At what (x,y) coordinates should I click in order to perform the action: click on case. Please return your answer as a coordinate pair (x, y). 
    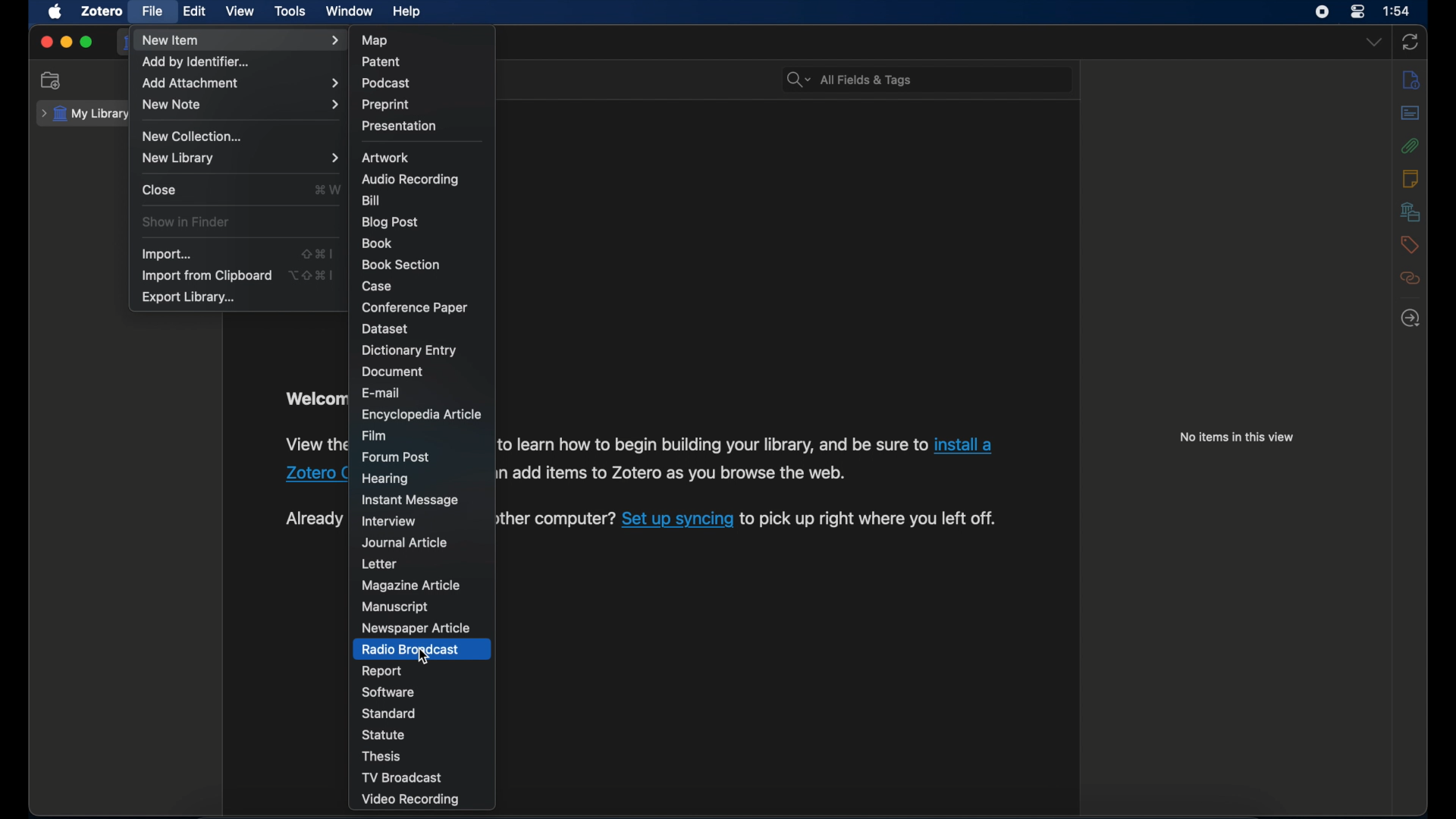
    Looking at the image, I should click on (378, 286).